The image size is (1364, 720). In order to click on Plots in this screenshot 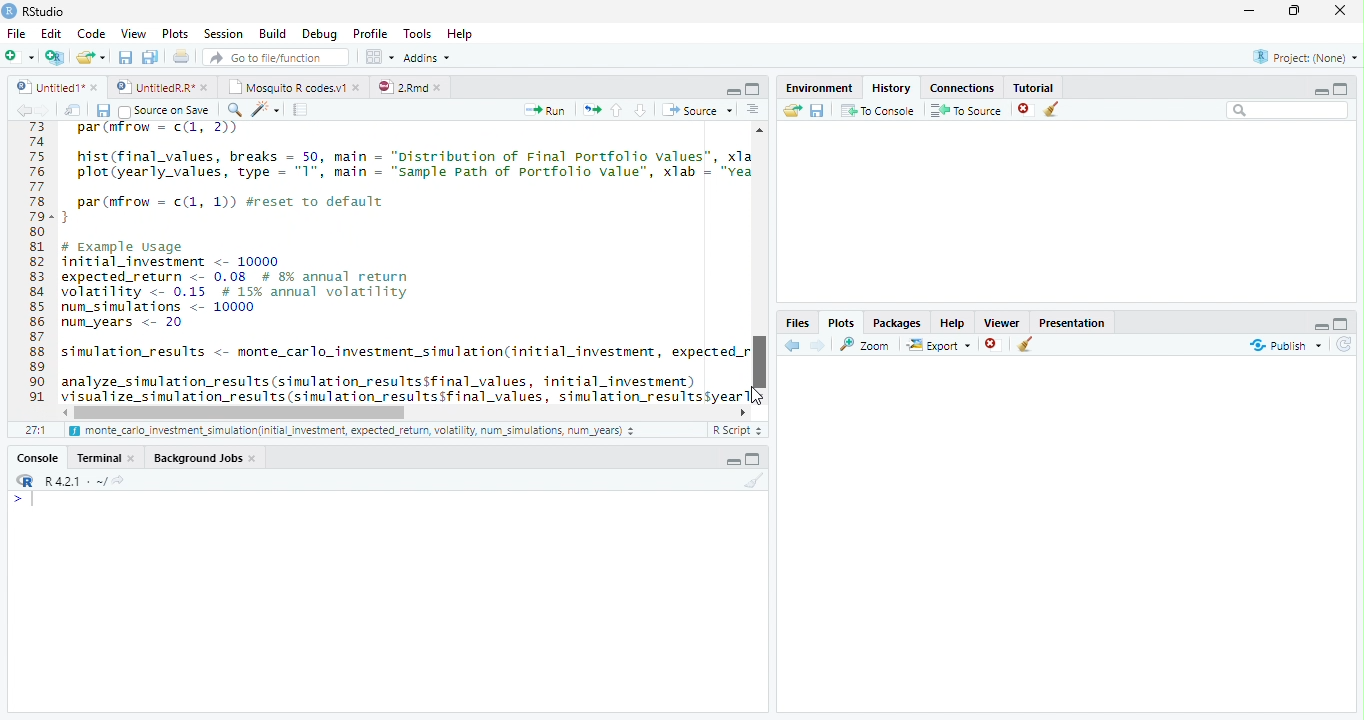, I will do `click(841, 322)`.